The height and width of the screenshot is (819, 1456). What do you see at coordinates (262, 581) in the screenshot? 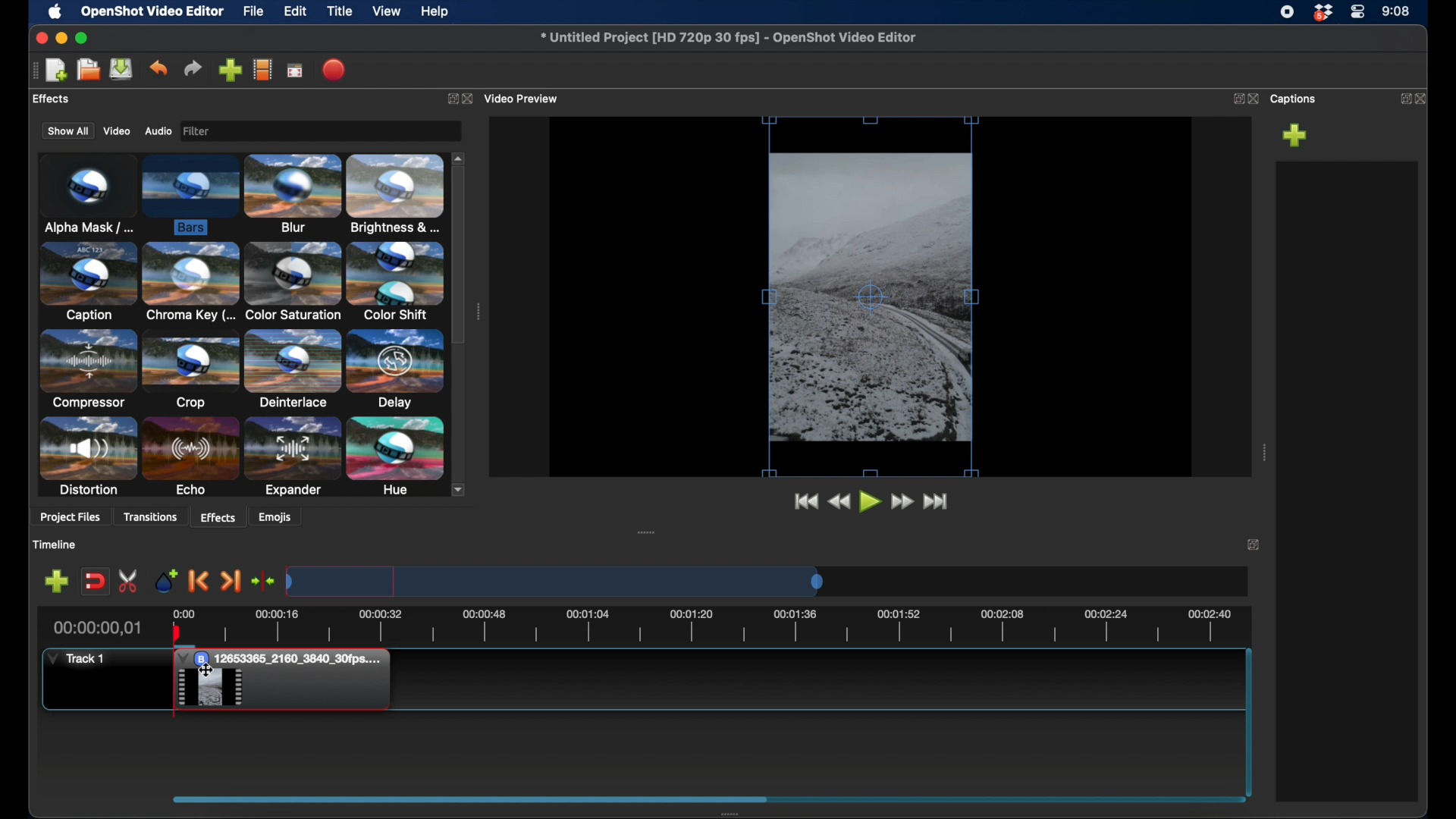
I see `center playhead on the timeline` at bounding box center [262, 581].